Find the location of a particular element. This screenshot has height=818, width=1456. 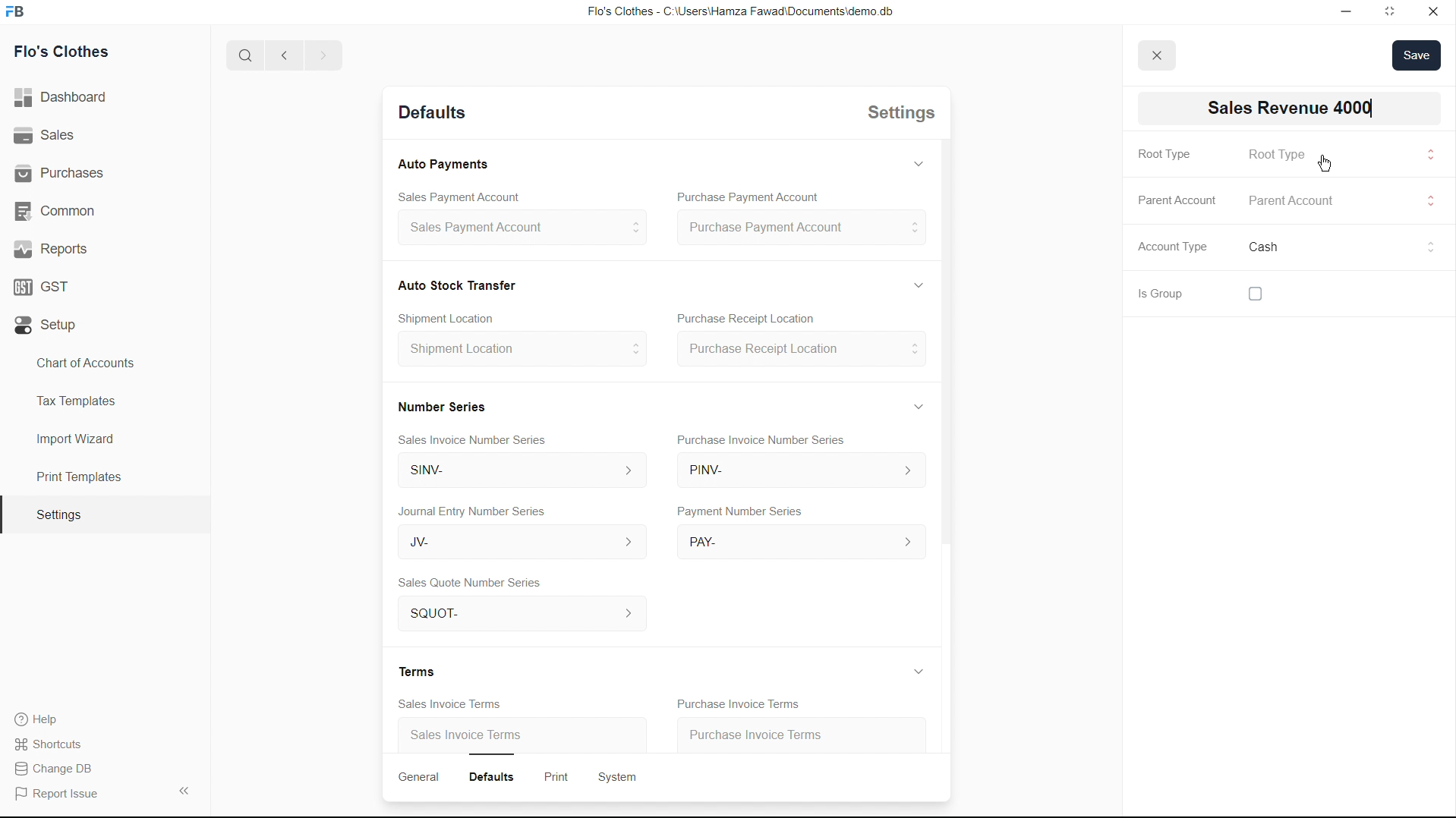

Cash is located at coordinates (1267, 249).